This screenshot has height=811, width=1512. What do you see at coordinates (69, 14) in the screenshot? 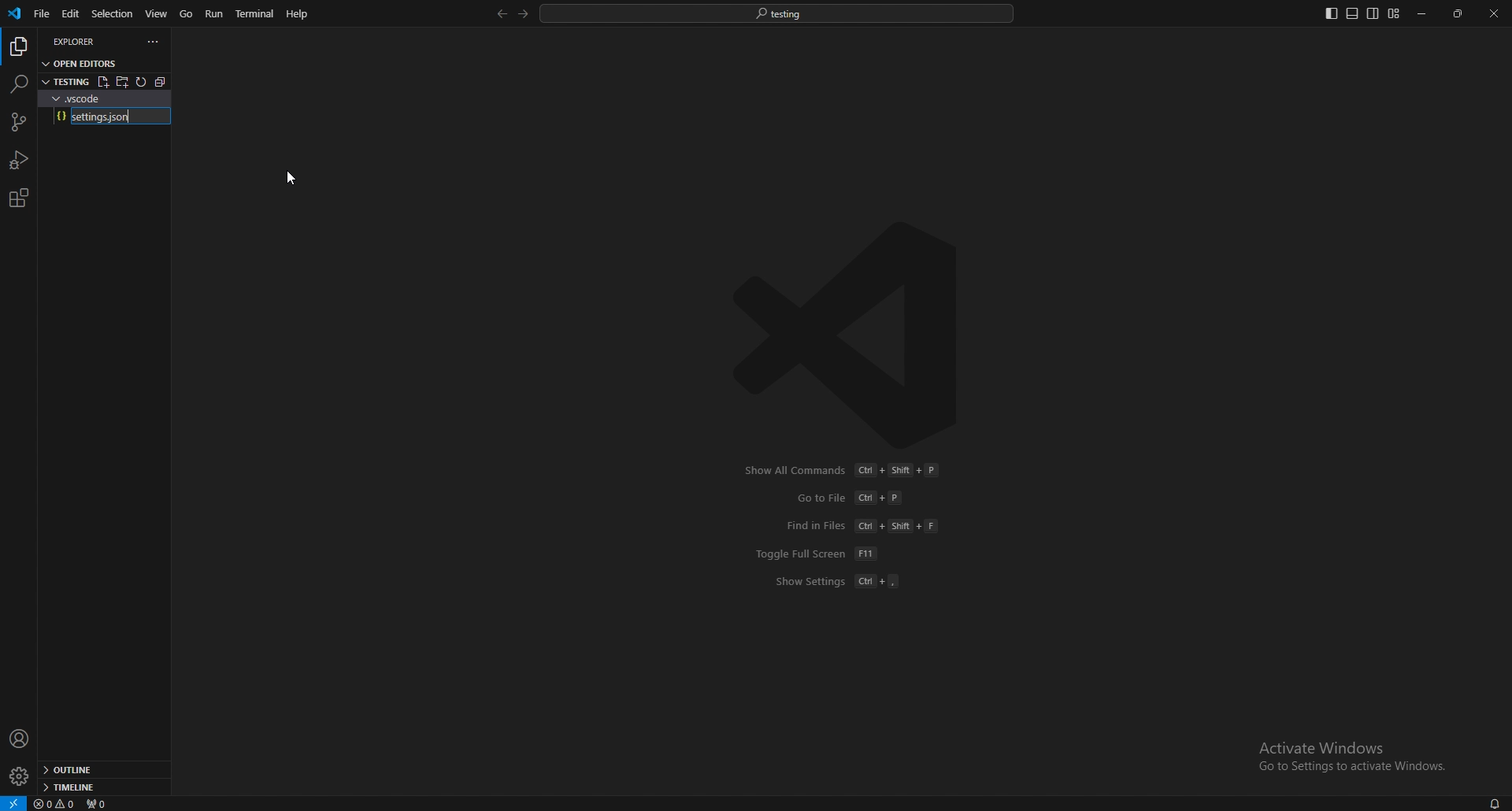
I see `edit` at bounding box center [69, 14].